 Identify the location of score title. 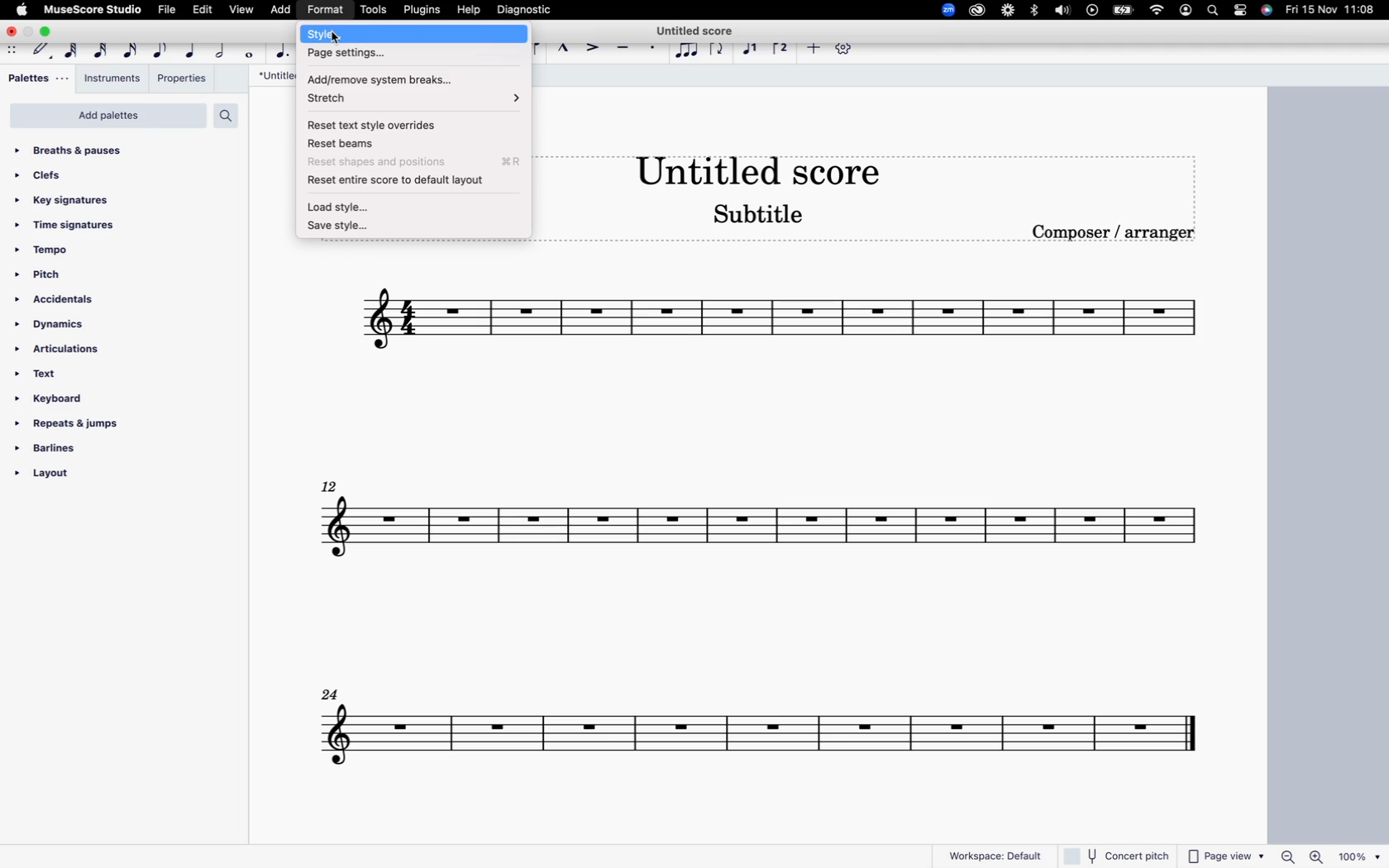
(764, 162).